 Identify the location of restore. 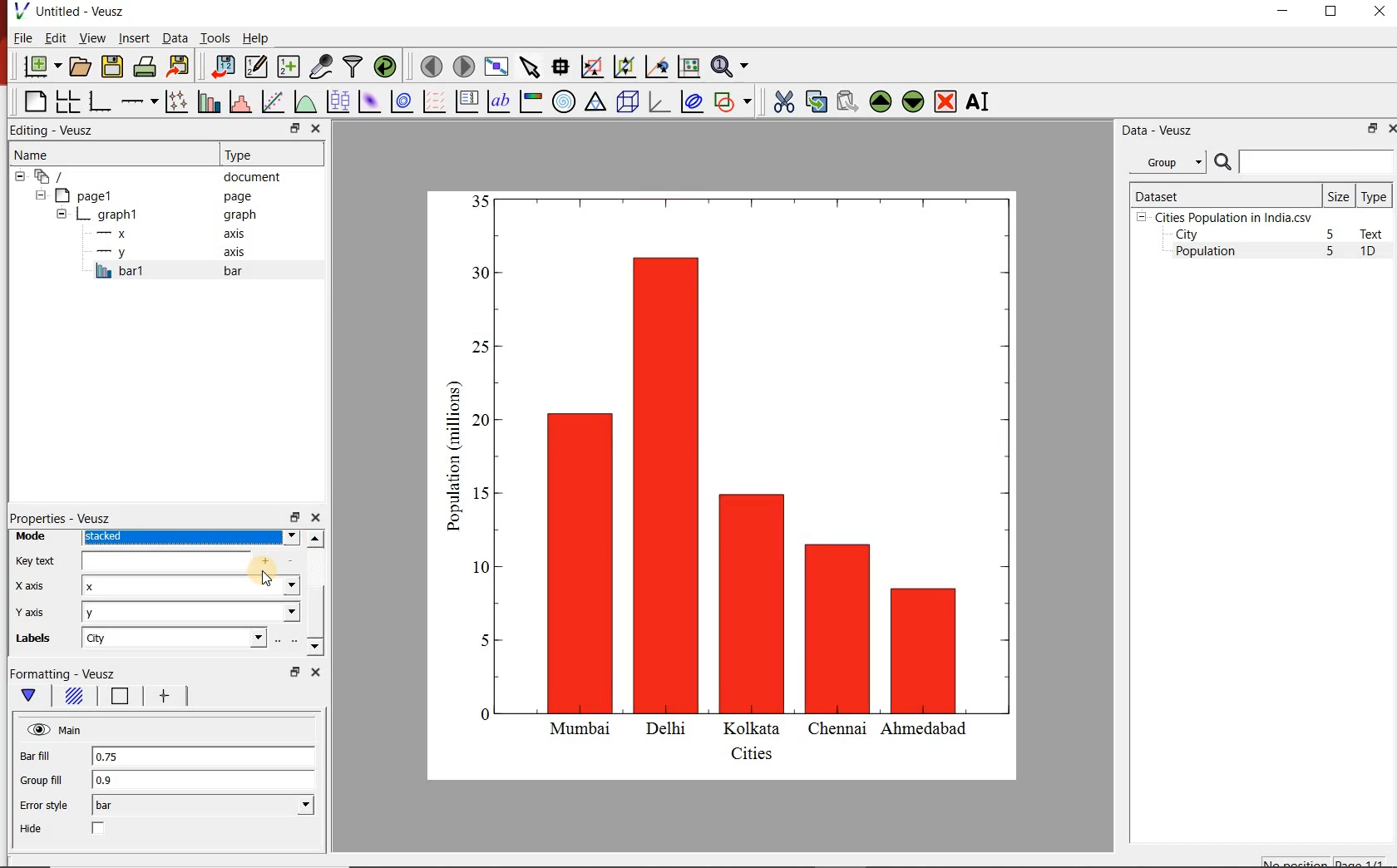
(1373, 128).